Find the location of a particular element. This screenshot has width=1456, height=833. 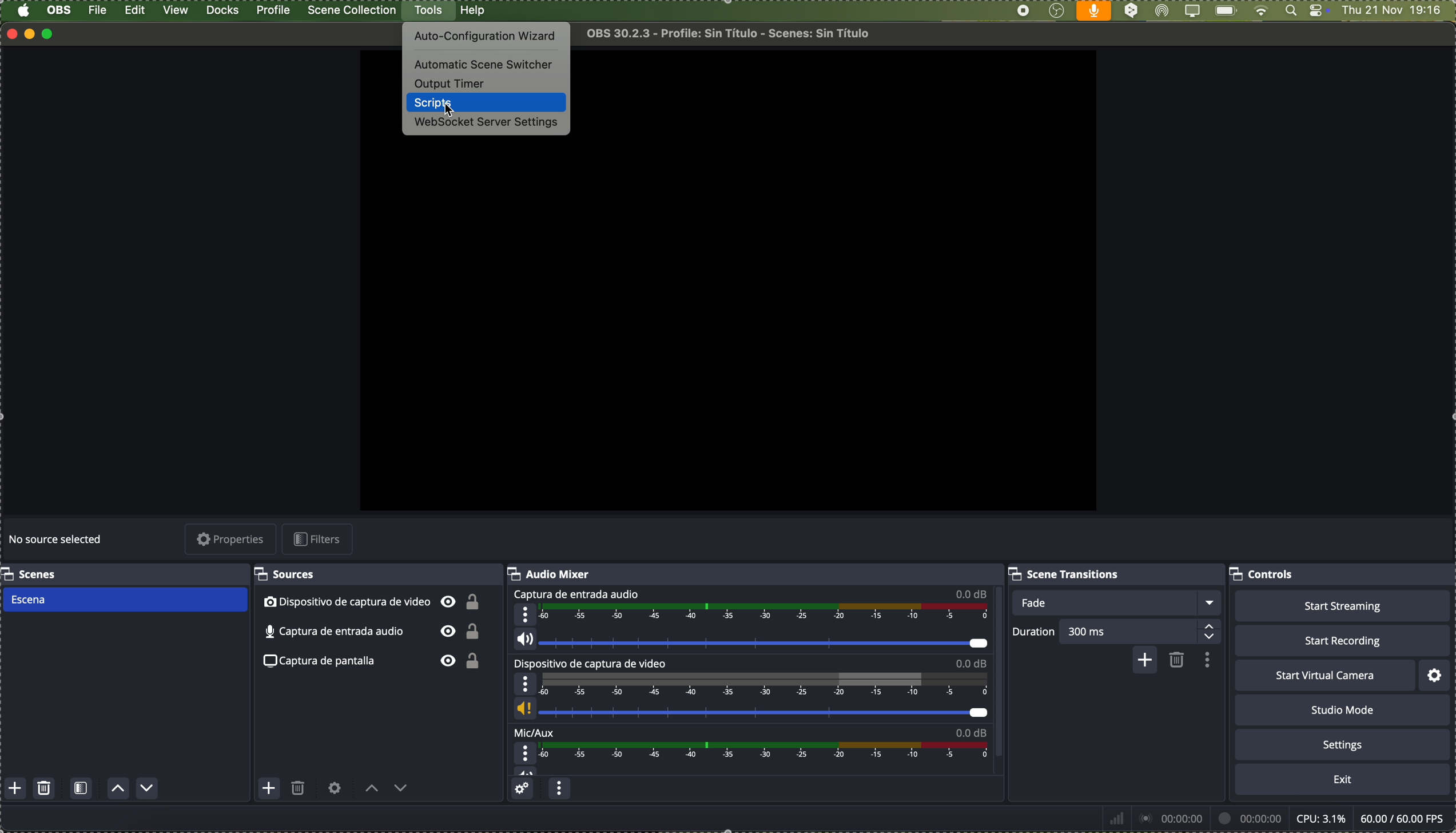

maximize program is located at coordinates (51, 34).